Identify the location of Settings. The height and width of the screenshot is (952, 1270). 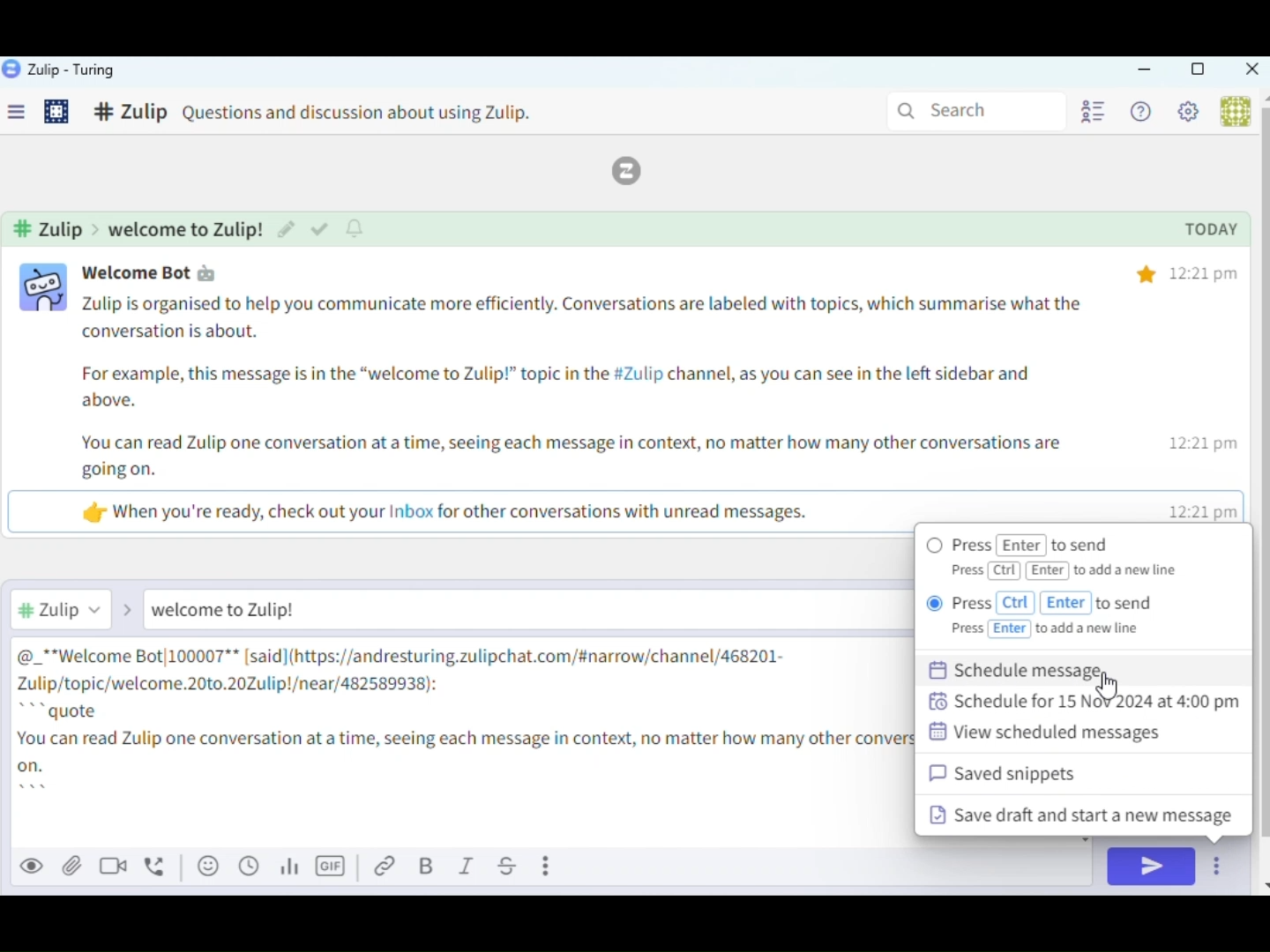
(58, 114).